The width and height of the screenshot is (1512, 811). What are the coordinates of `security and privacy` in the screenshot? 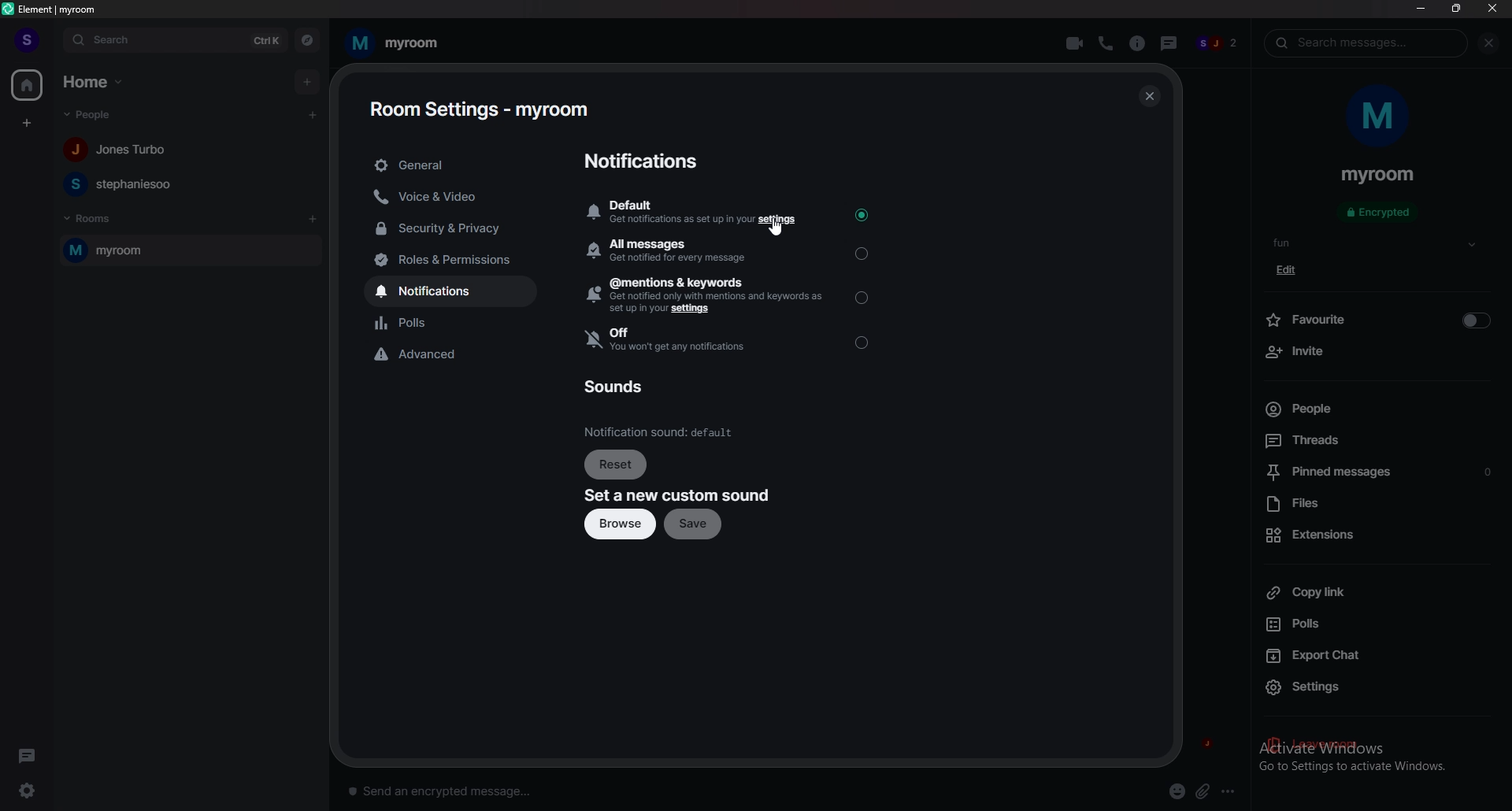 It's located at (454, 228).